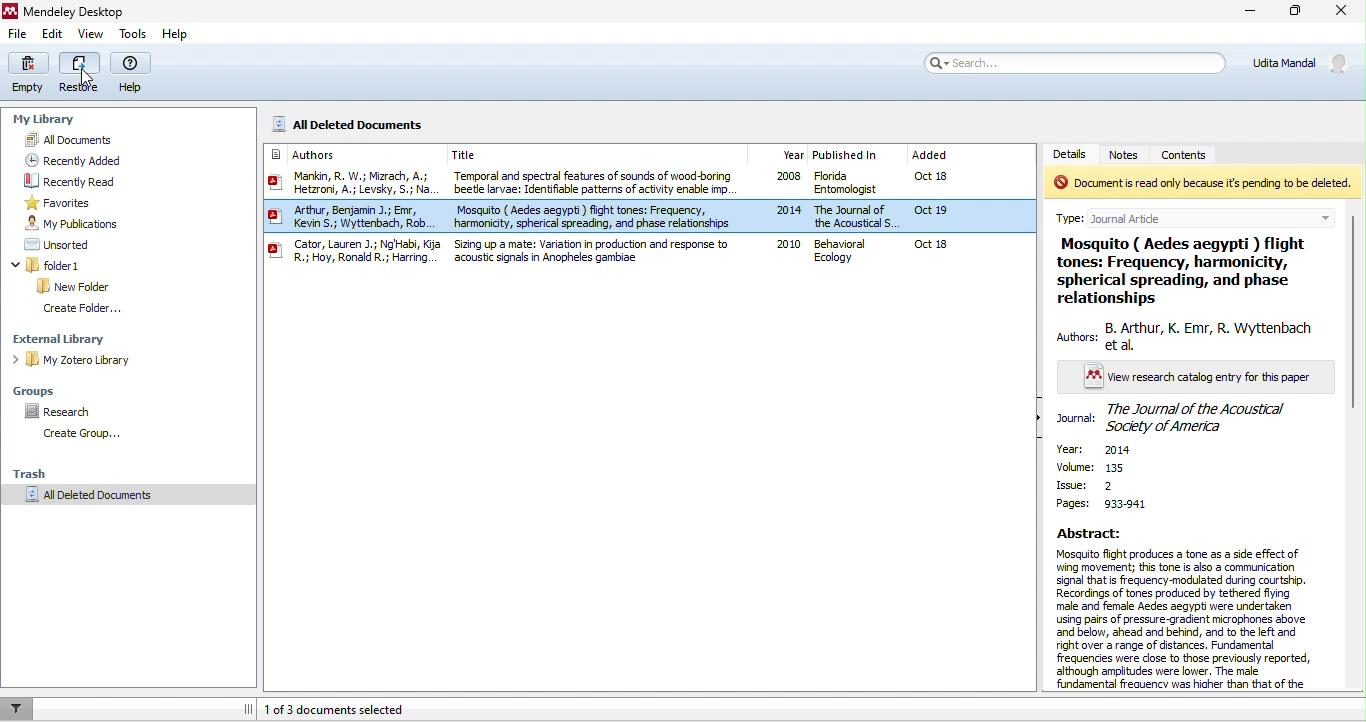 The height and width of the screenshot is (722, 1366). I want to click on view, so click(90, 35).